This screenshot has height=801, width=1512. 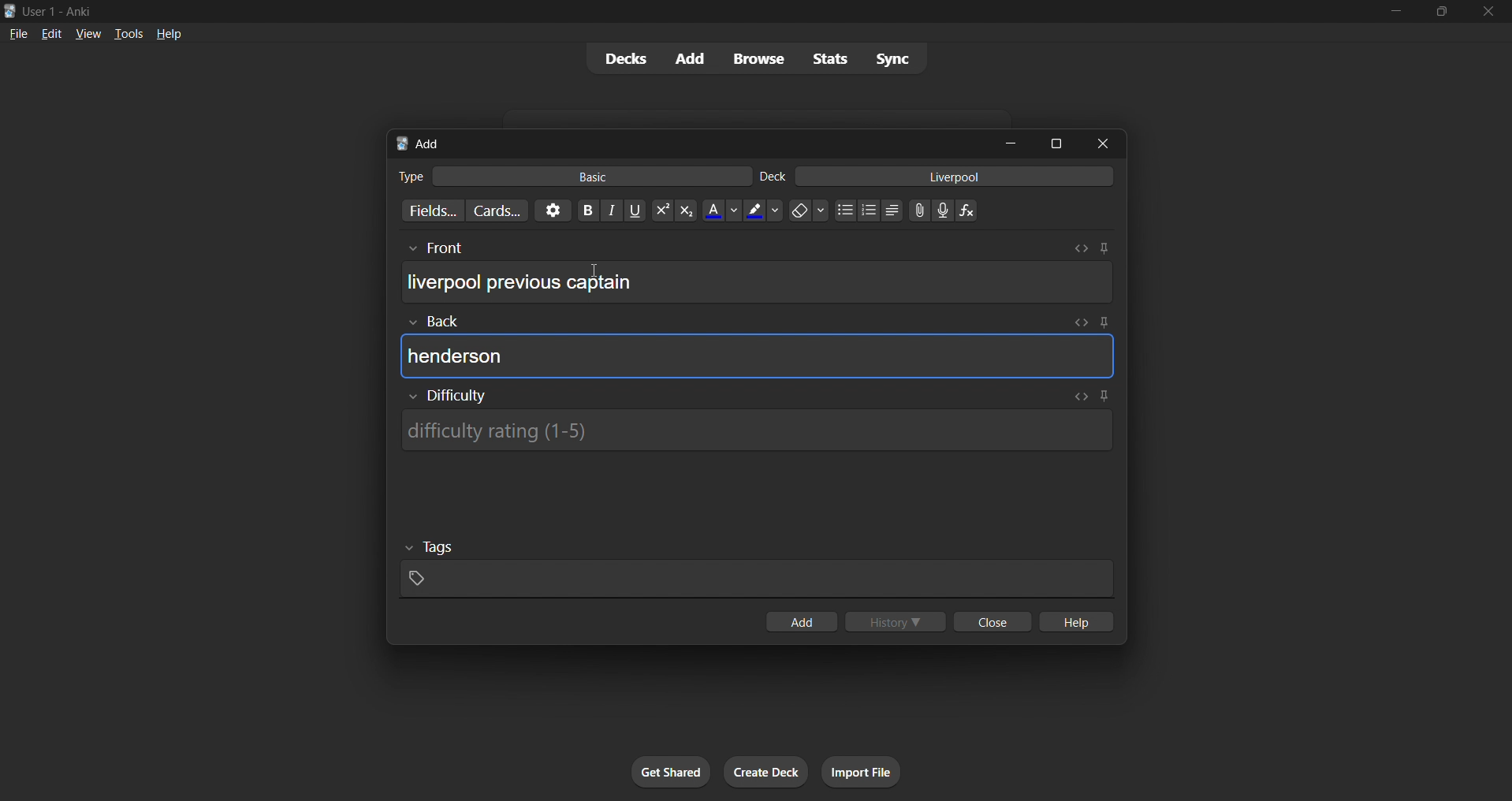 What do you see at coordinates (689, 141) in the screenshot?
I see `add card title bar` at bounding box center [689, 141].